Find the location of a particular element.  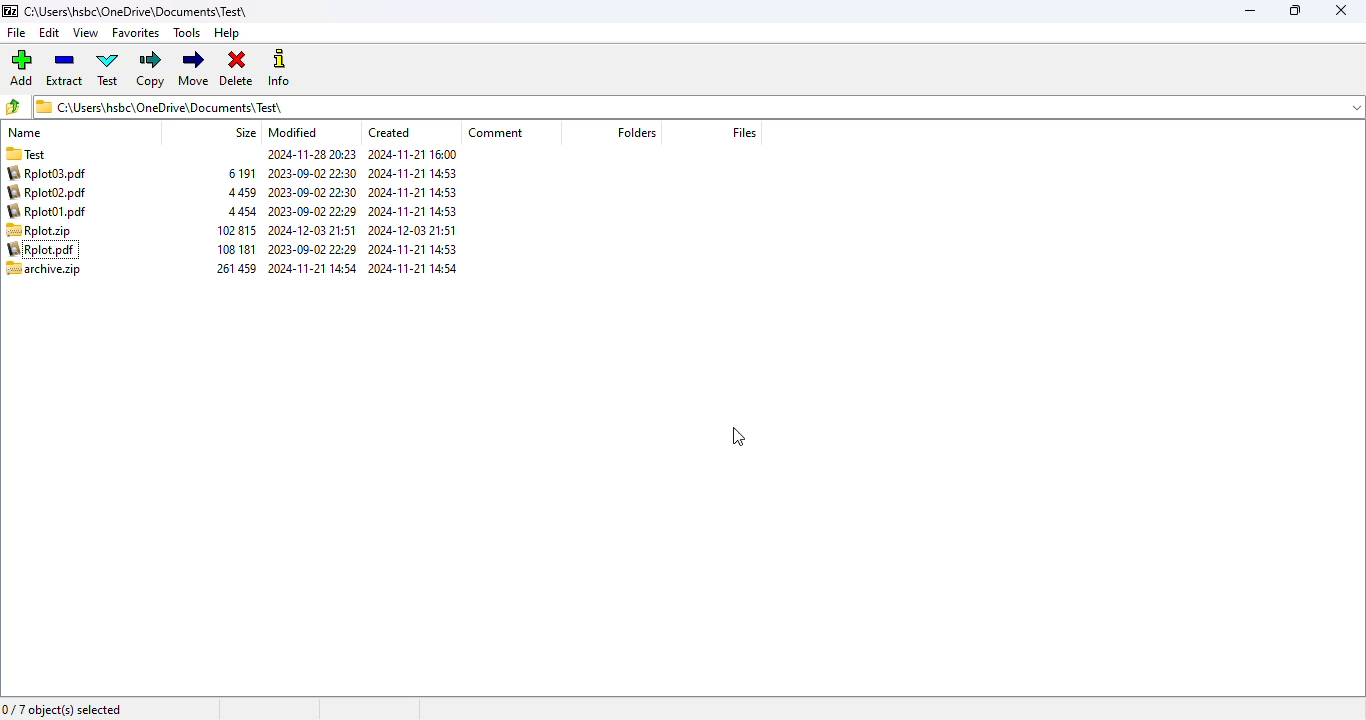

copy is located at coordinates (151, 70).